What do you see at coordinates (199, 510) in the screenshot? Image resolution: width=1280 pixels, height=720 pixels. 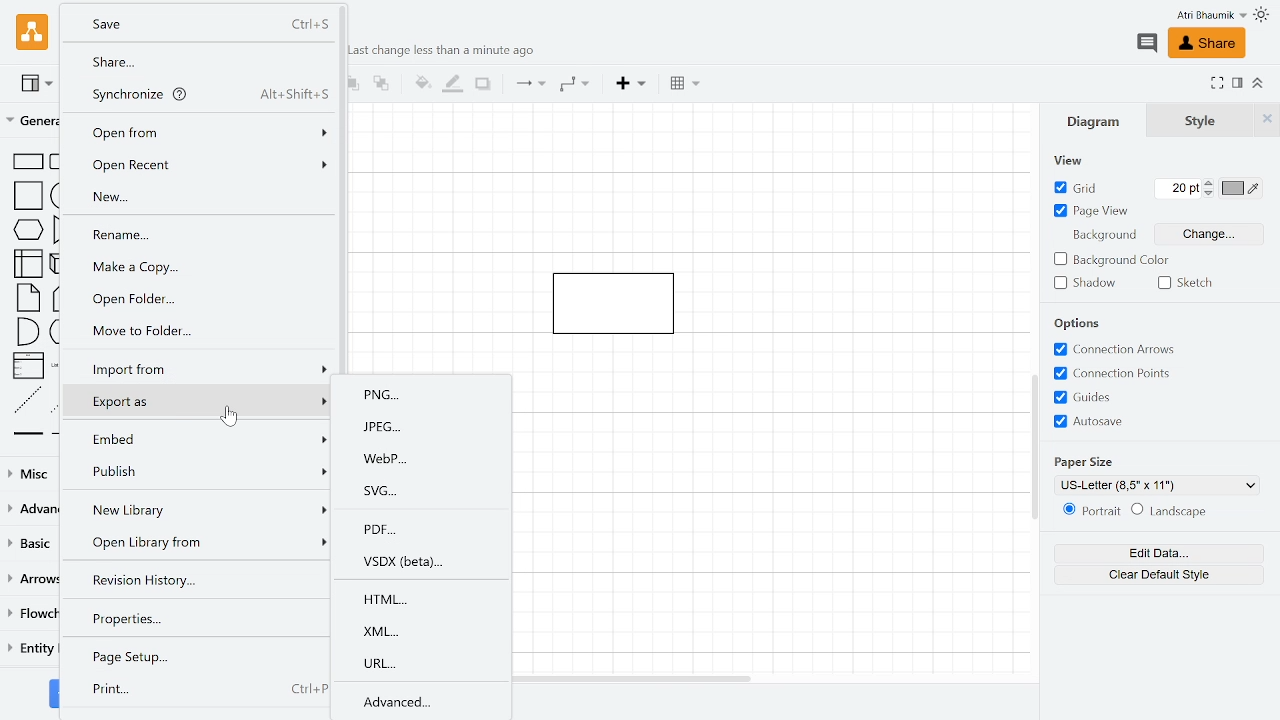 I see `New library` at bounding box center [199, 510].